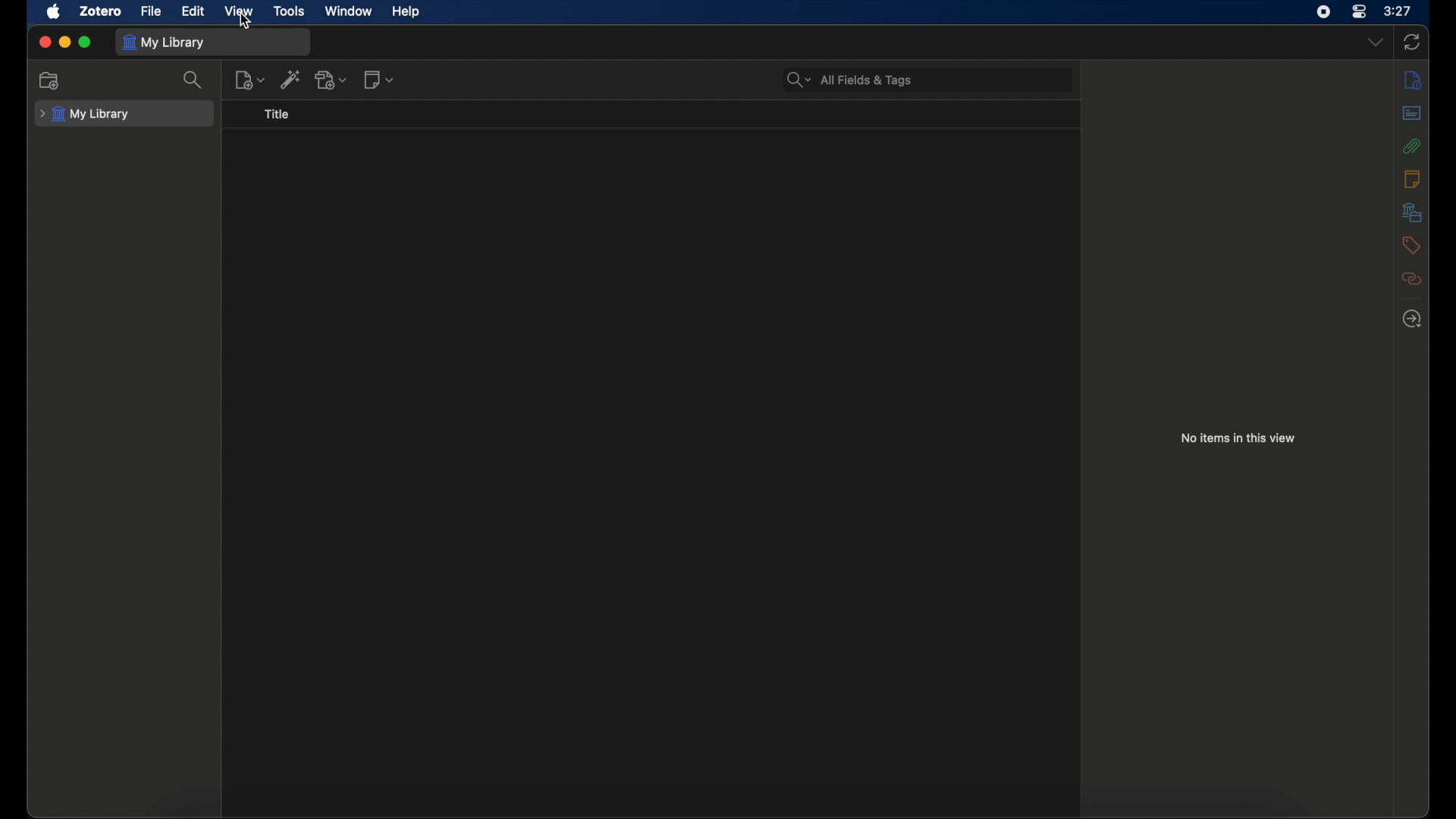 The width and height of the screenshot is (1456, 819). What do you see at coordinates (1411, 112) in the screenshot?
I see `abstract` at bounding box center [1411, 112].